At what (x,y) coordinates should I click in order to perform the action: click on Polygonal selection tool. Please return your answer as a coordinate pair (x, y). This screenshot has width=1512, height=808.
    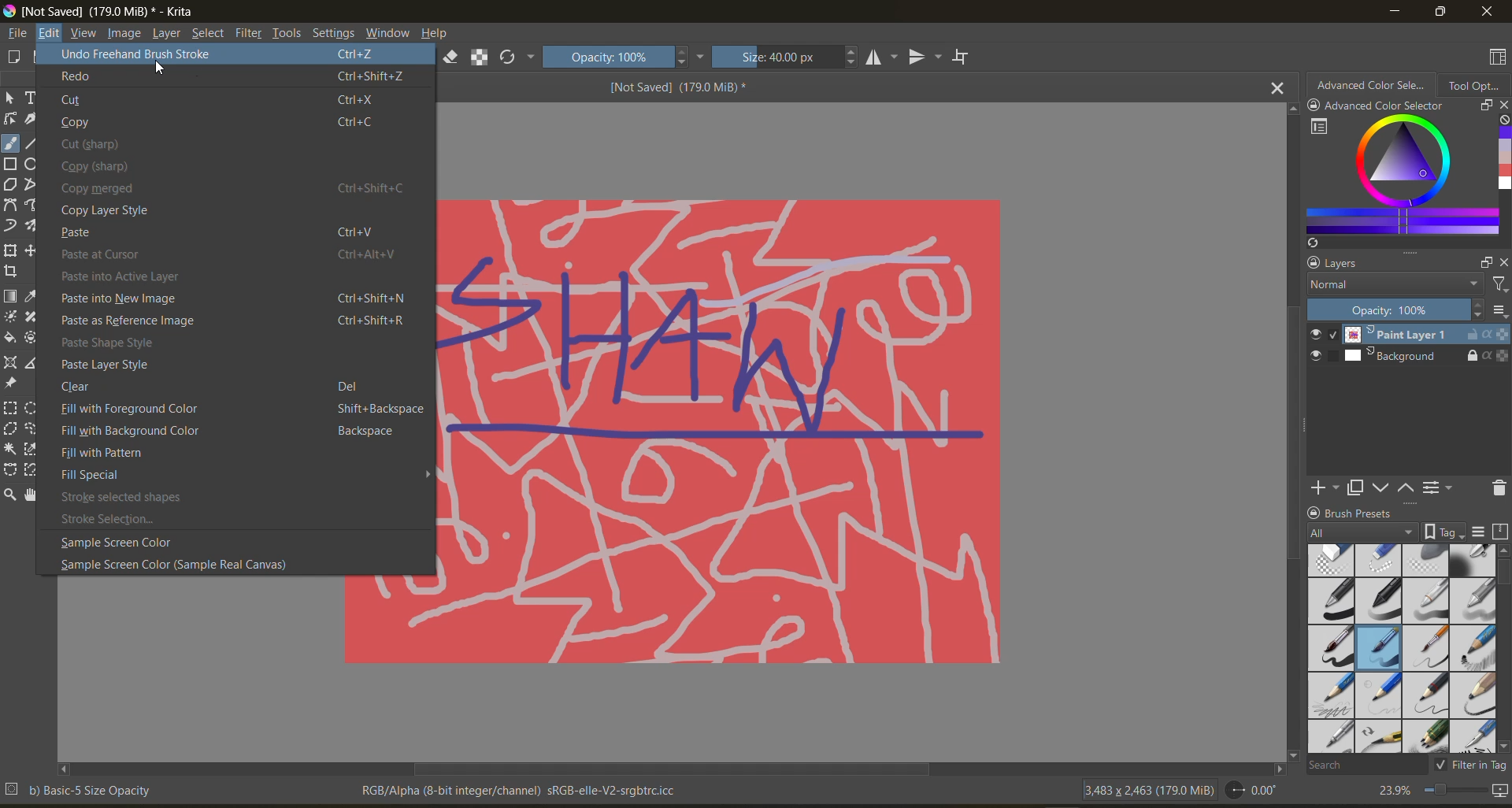
    Looking at the image, I should click on (12, 428).